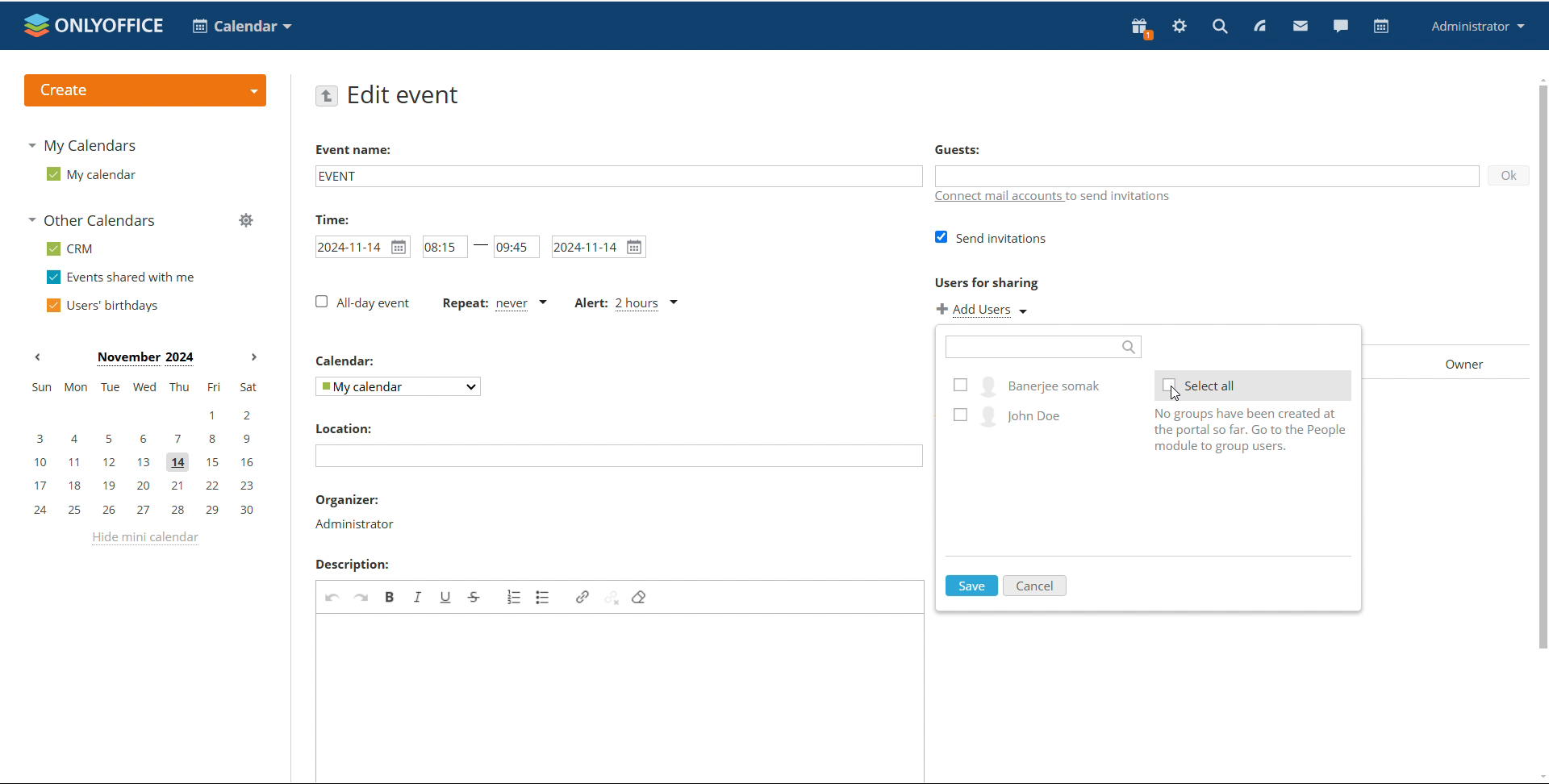 The width and height of the screenshot is (1549, 784). Describe the element at coordinates (142, 440) in the screenshot. I see `3, 4, 5, 6, 7, 8, 9` at that location.